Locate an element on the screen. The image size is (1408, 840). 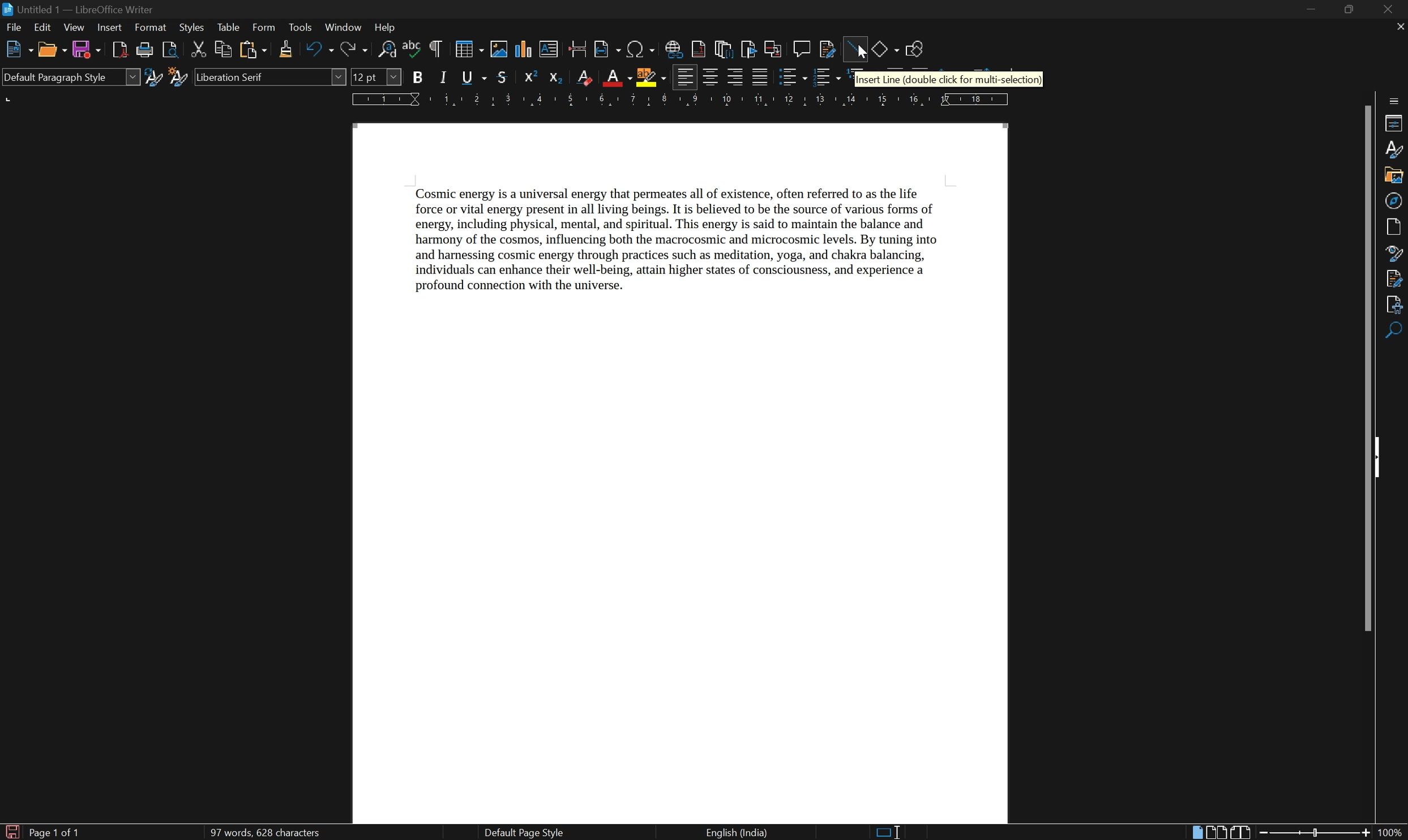
Cosmic energy is a universal energy that permeates all of existence, often referred to as the life
force or vital energy present in all living beings. It is believed to be the source of various forms of
energy, including physical, mental, and spiritual. This energy is said to maintain the balance and
harmony of the cosmos, influencing both the macrocosmic and microcosmic levels. By tuning into
and harnessing cosmic energy through practices such as meditation, yoga, and chakra balancing,
individuals can enhance their well-being, attain higher states of consciousness, and experience a
profound connection with the universe. is located at coordinates (683, 249).